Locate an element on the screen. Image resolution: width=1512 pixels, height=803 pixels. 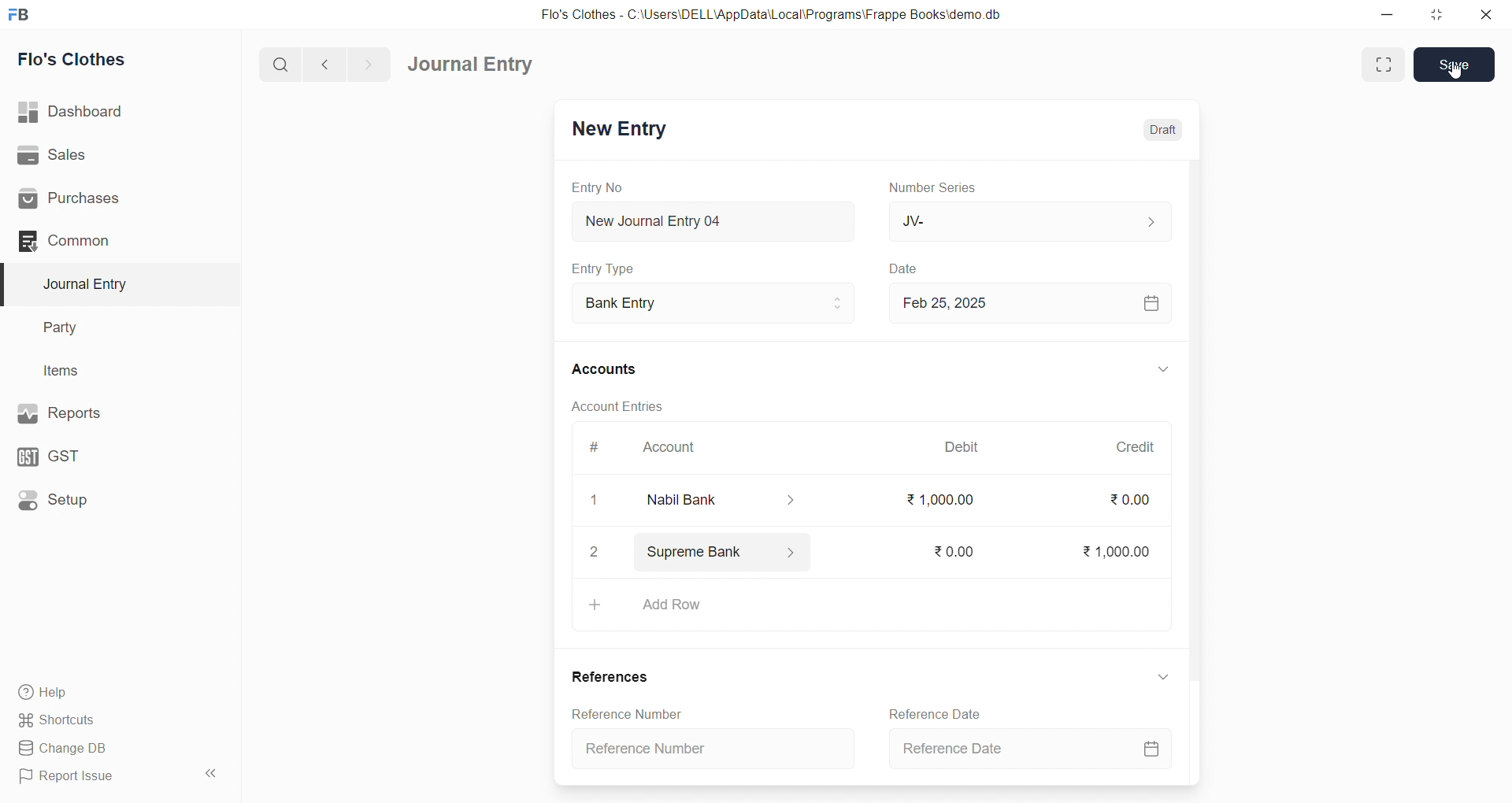
Accounts is located at coordinates (614, 368).